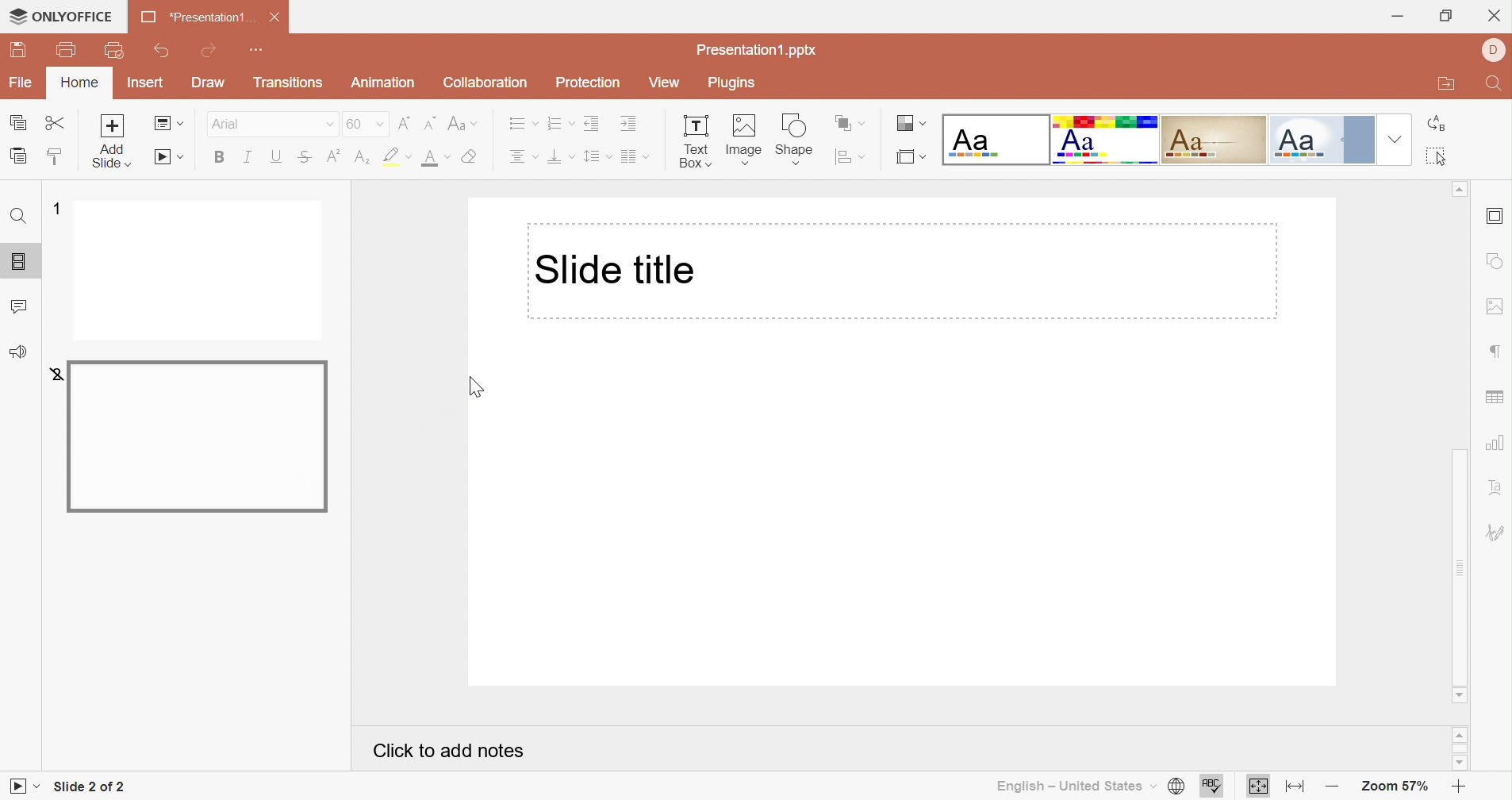 The height and width of the screenshot is (800, 1512). Describe the element at coordinates (62, 17) in the screenshot. I see `ONLYOFFICE` at that location.